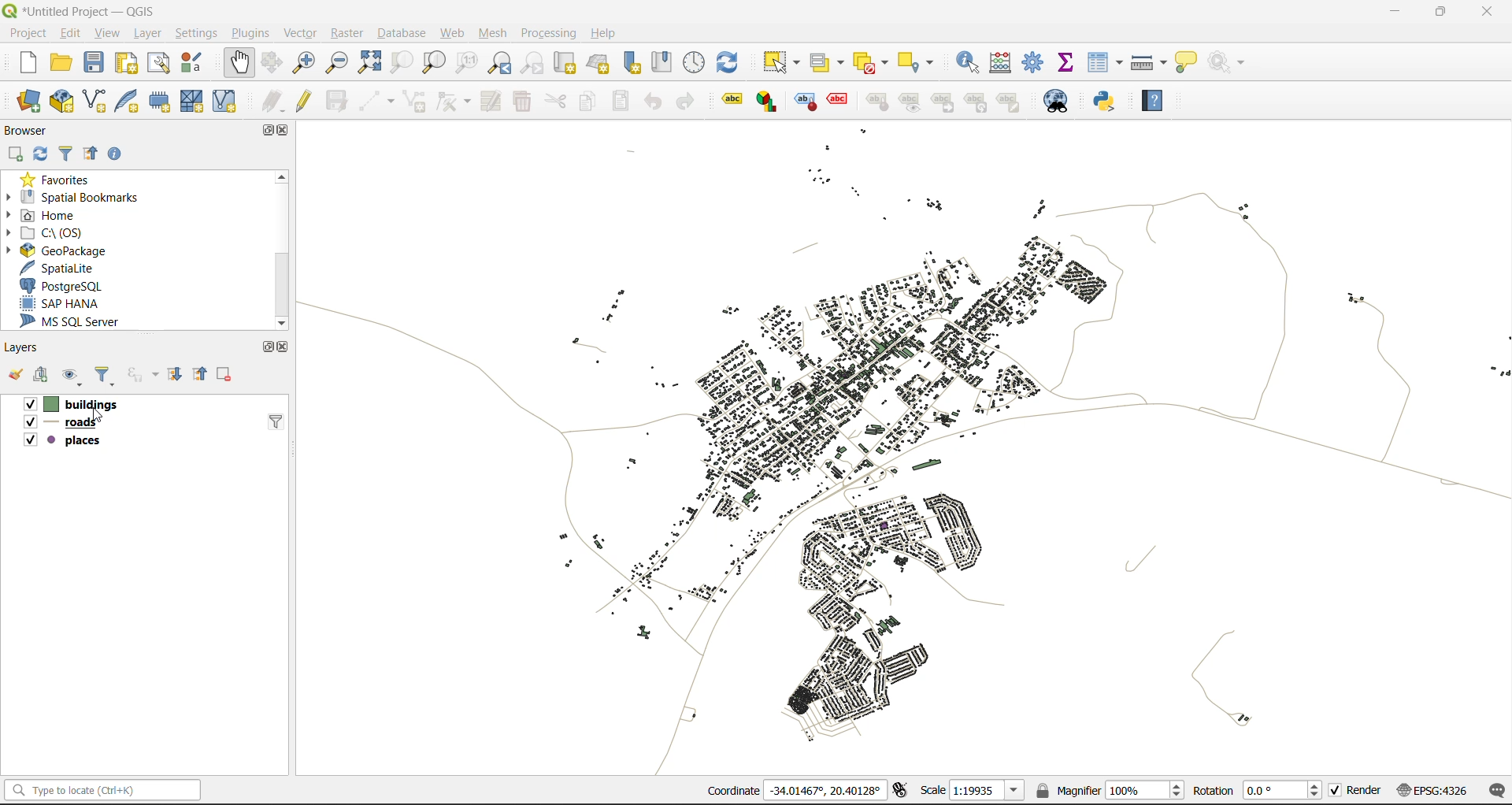 Image resolution: width=1512 pixels, height=805 pixels. What do you see at coordinates (198, 32) in the screenshot?
I see `settings` at bounding box center [198, 32].